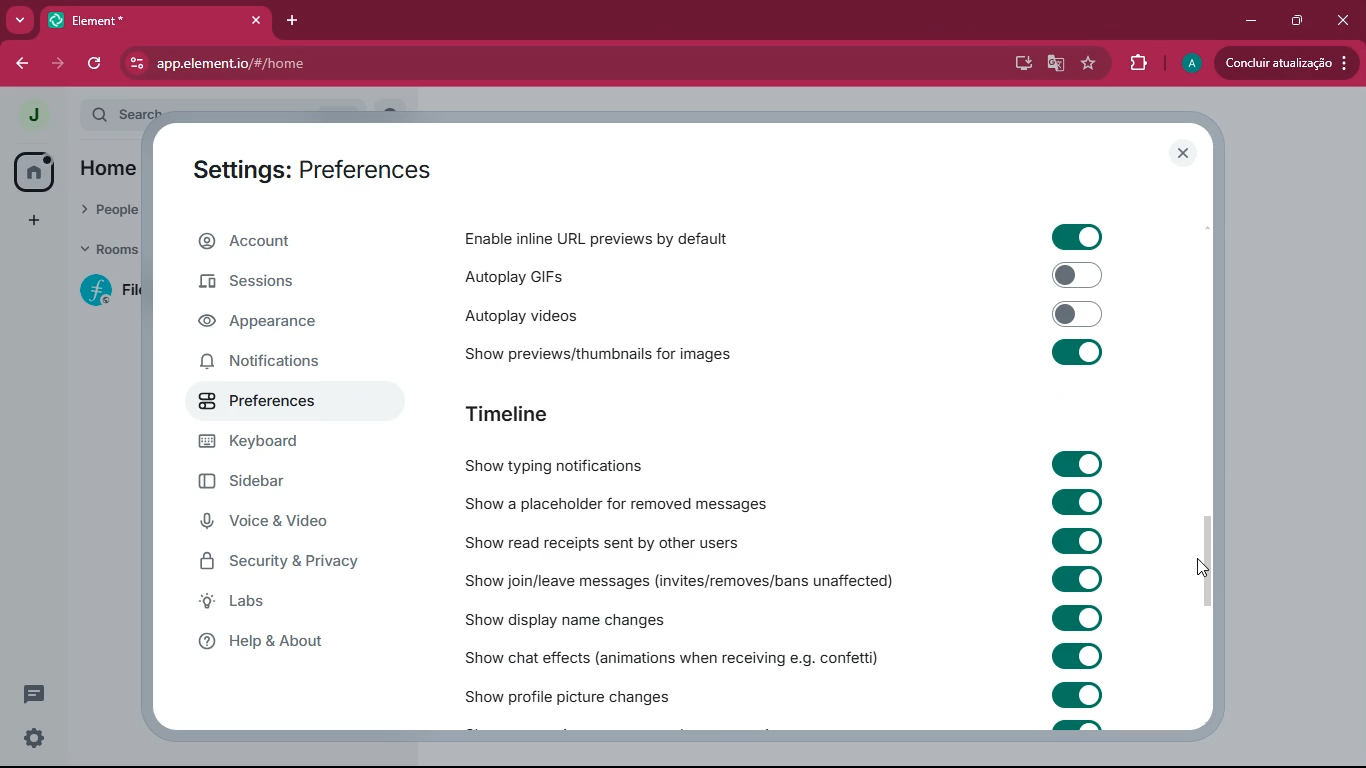 The image size is (1366, 768). Describe the element at coordinates (33, 115) in the screenshot. I see `profile picture` at that location.